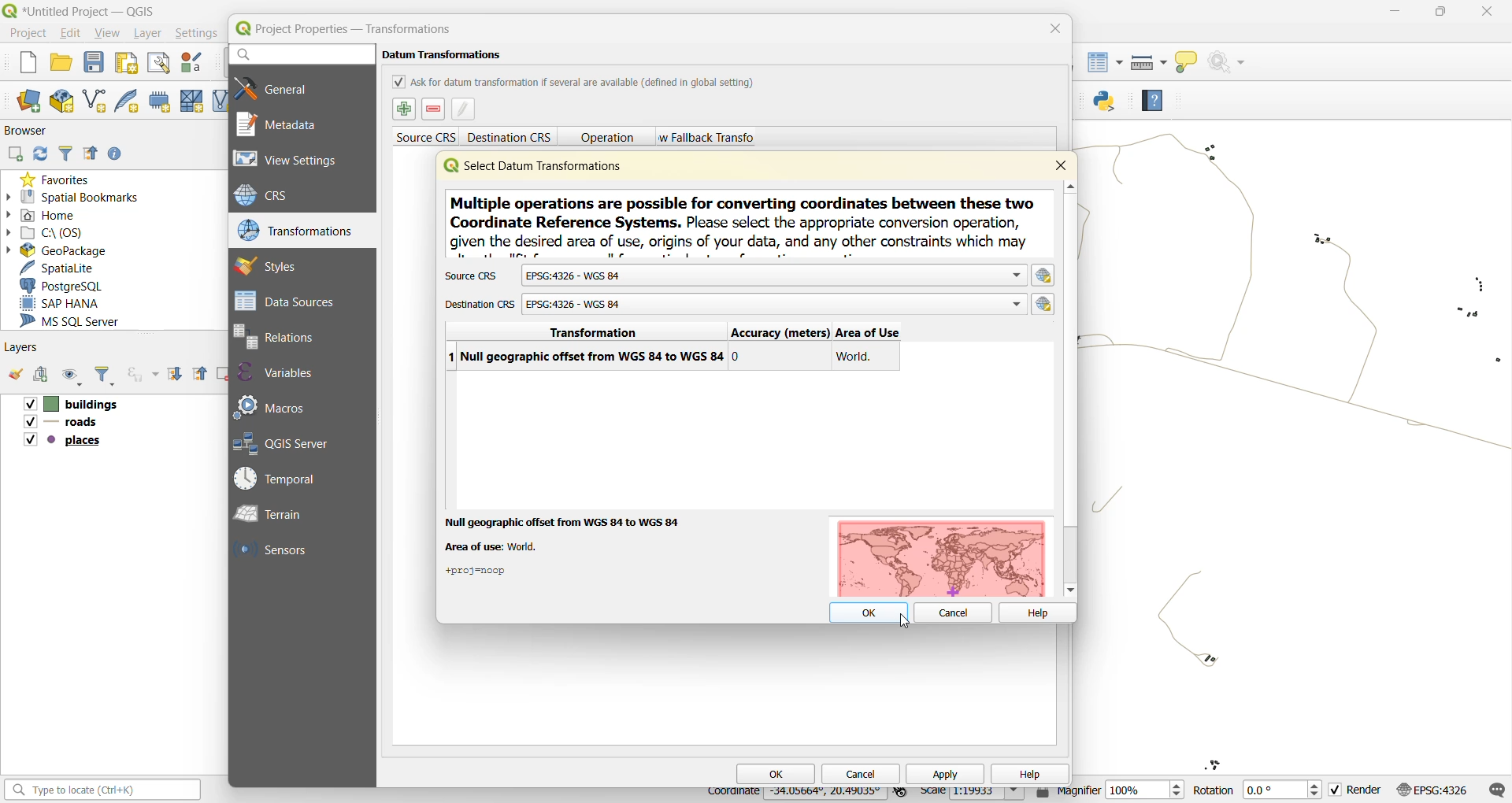  What do you see at coordinates (70, 404) in the screenshot?
I see `buildings` at bounding box center [70, 404].